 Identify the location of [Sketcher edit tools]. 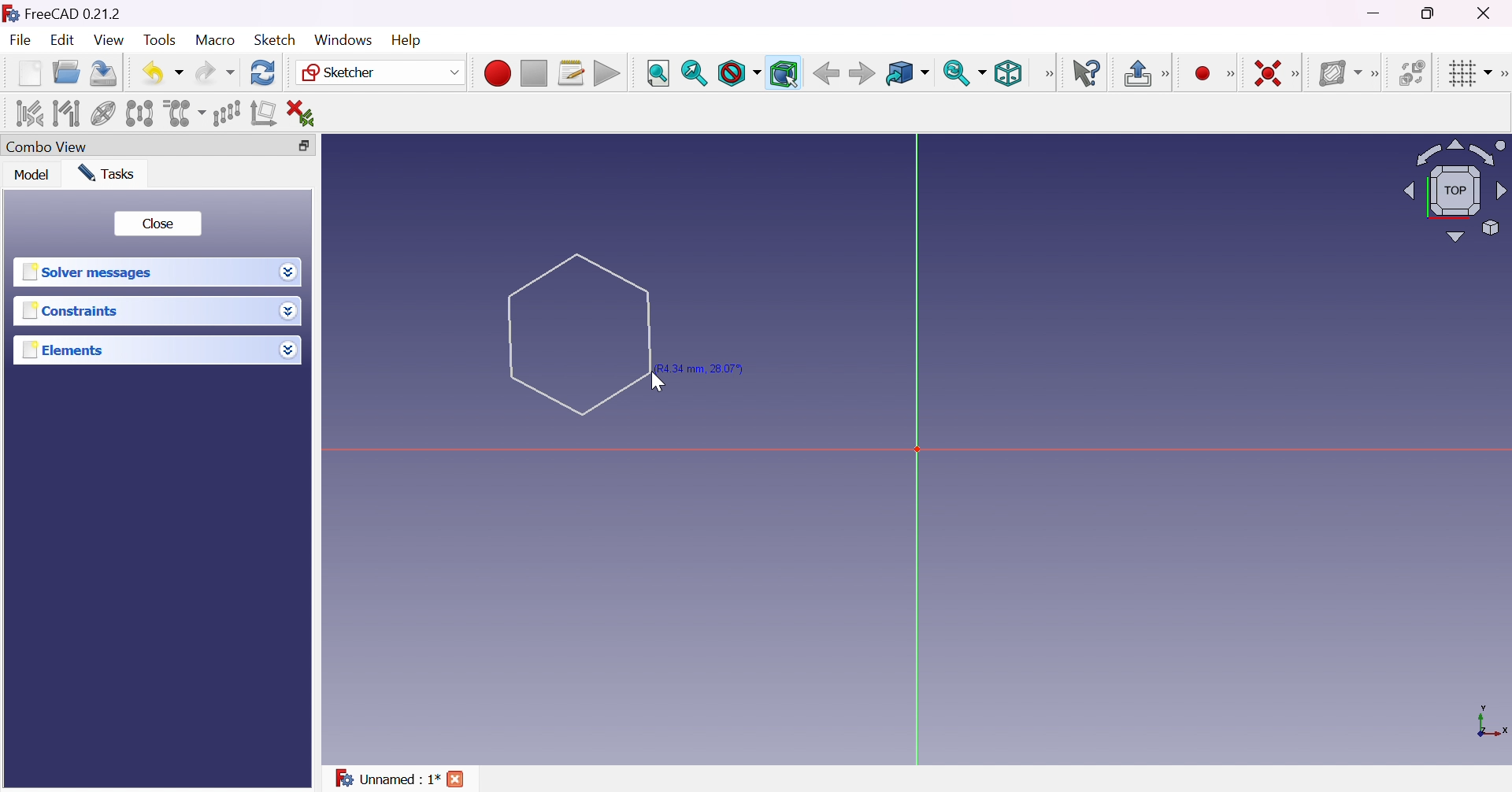
(1503, 74).